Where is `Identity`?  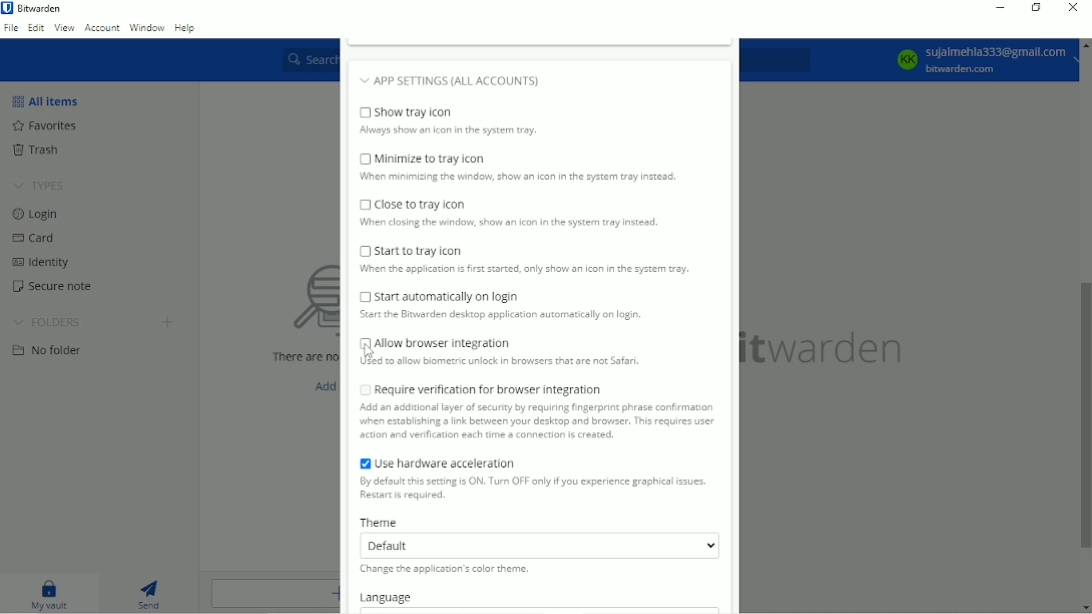
Identity is located at coordinates (38, 262).